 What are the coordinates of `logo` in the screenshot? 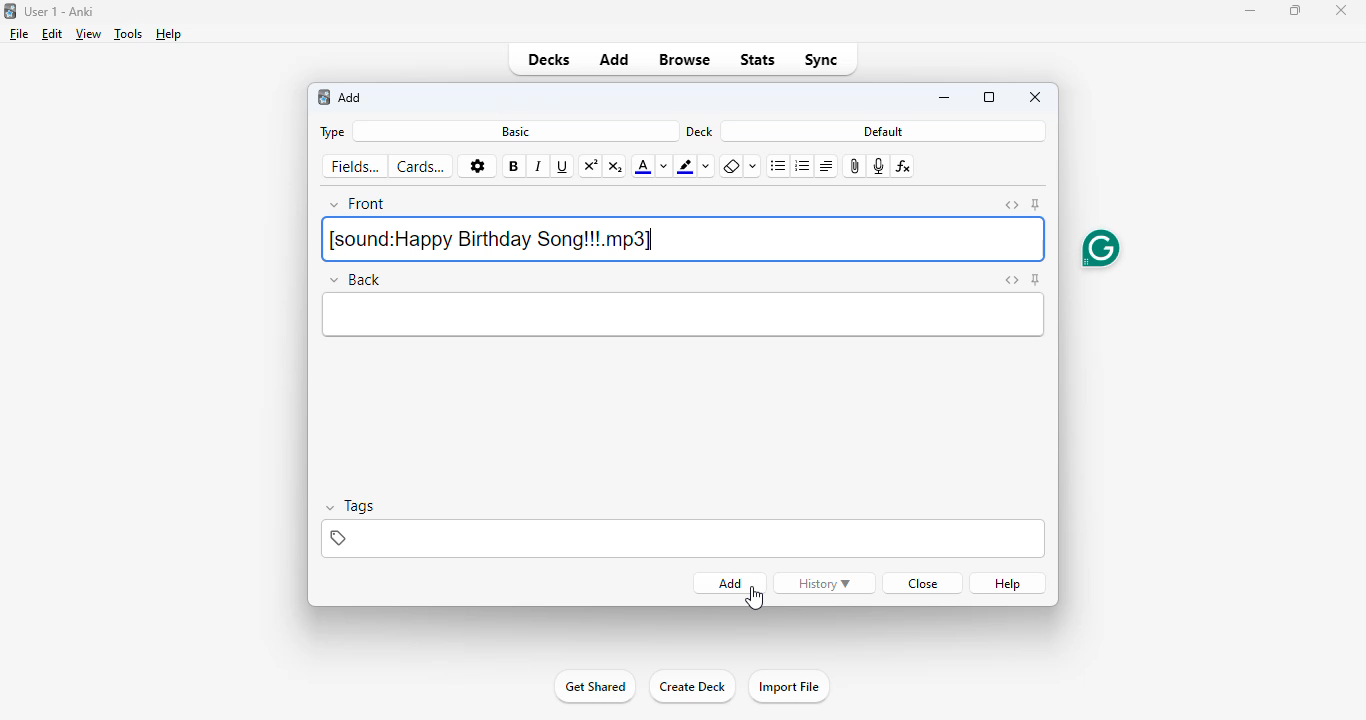 It's located at (9, 11).